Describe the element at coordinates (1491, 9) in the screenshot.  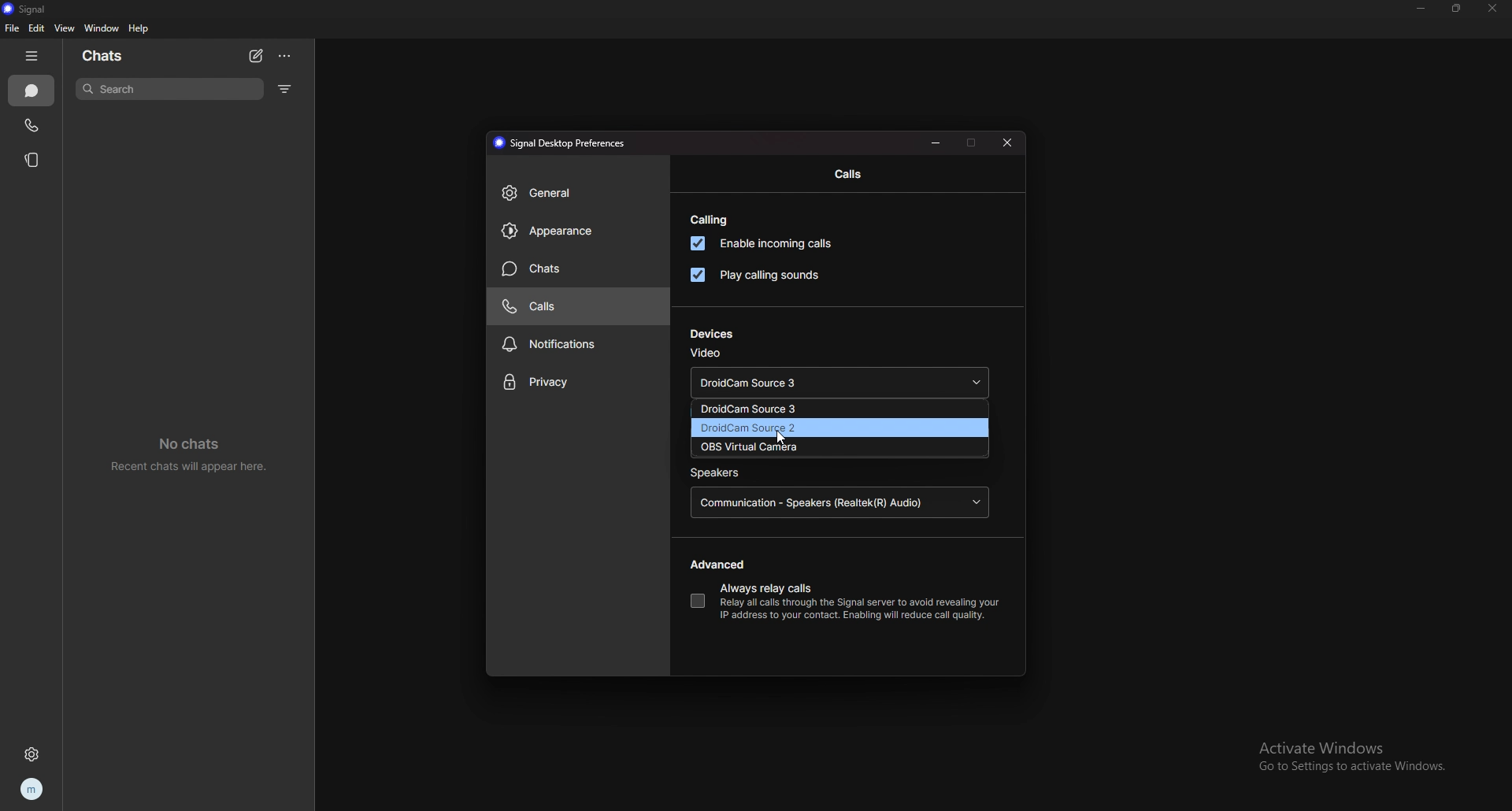
I see `close` at that location.